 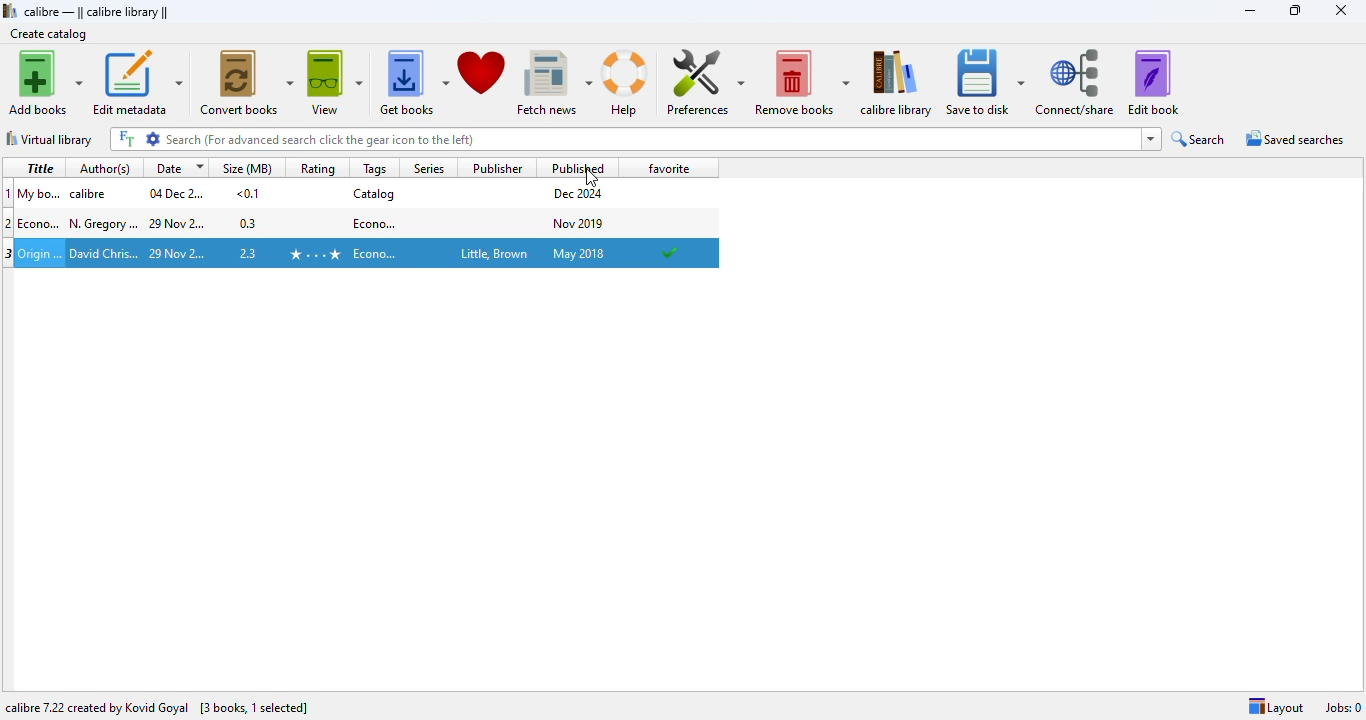 I want to click on 3 books, 1 selected, so click(x=254, y=707).